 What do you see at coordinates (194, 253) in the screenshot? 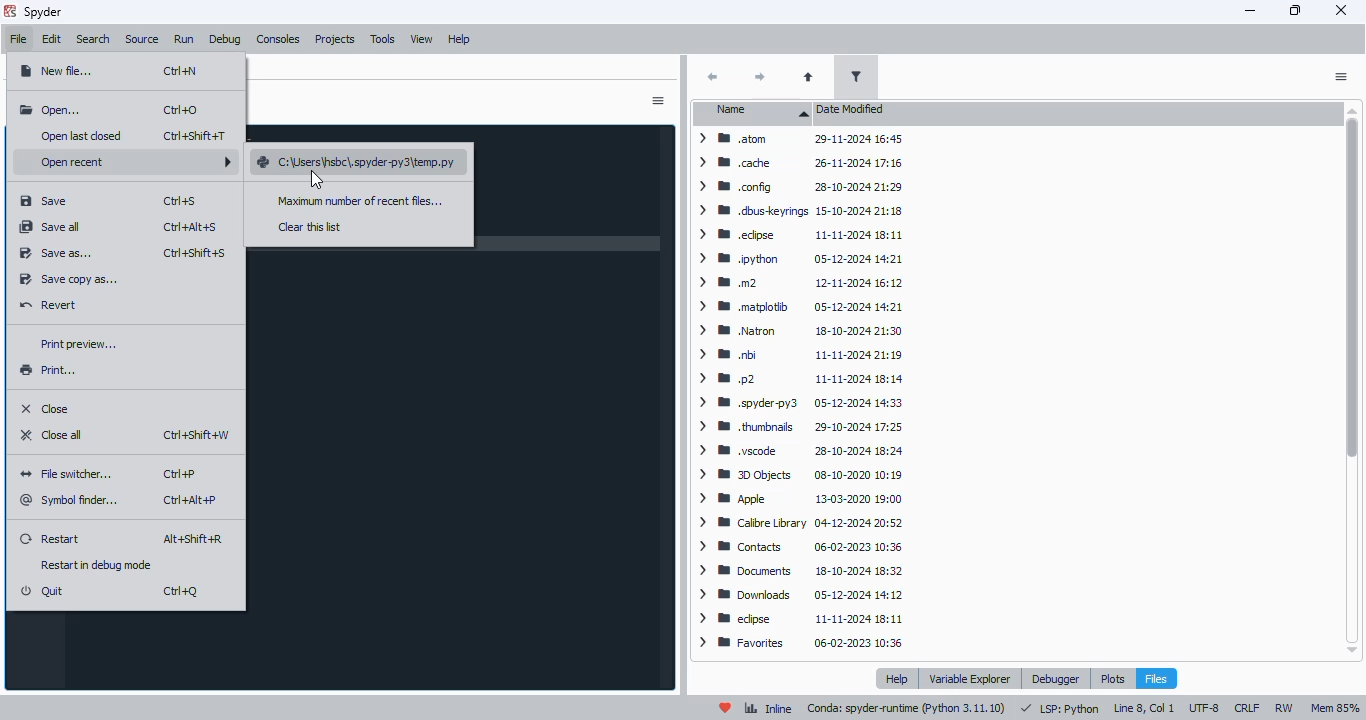
I see `shortcut for save as` at bounding box center [194, 253].